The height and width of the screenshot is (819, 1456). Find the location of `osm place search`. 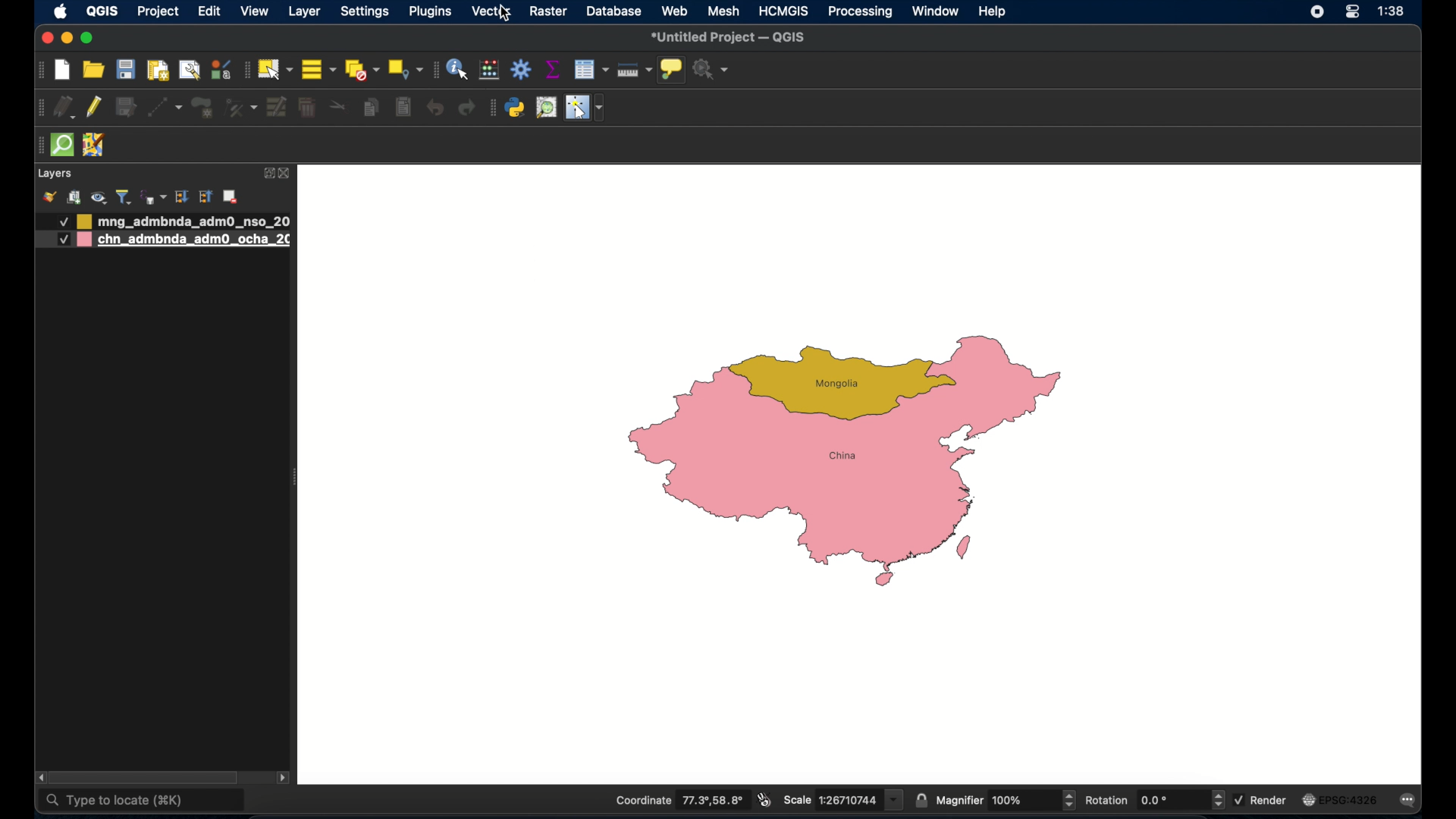

osm place search is located at coordinates (547, 108).